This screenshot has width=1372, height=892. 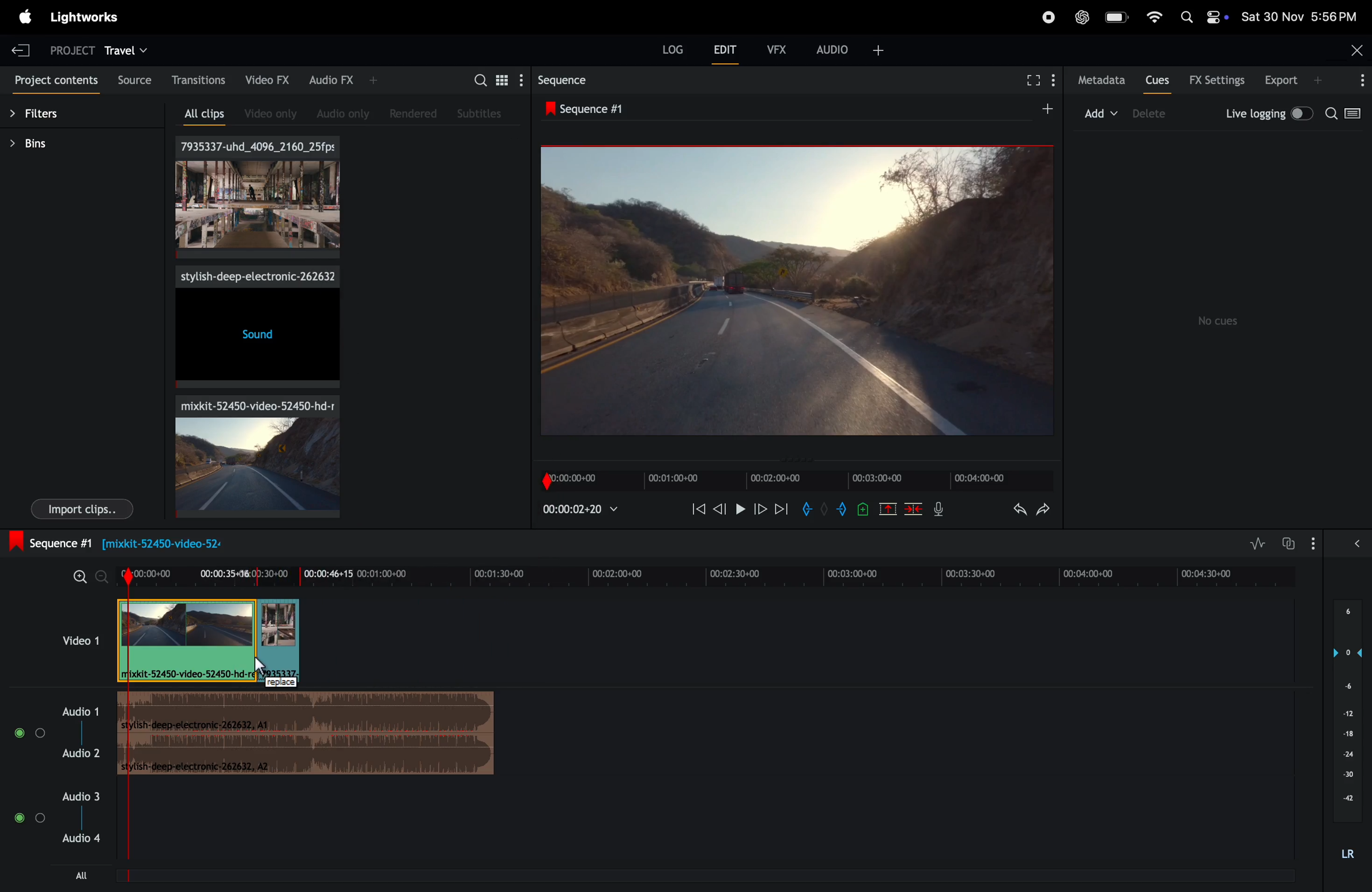 What do you see at coordinates (1159, 115) in the screenshot?
I see `device` at bounding box center [1159, 115].